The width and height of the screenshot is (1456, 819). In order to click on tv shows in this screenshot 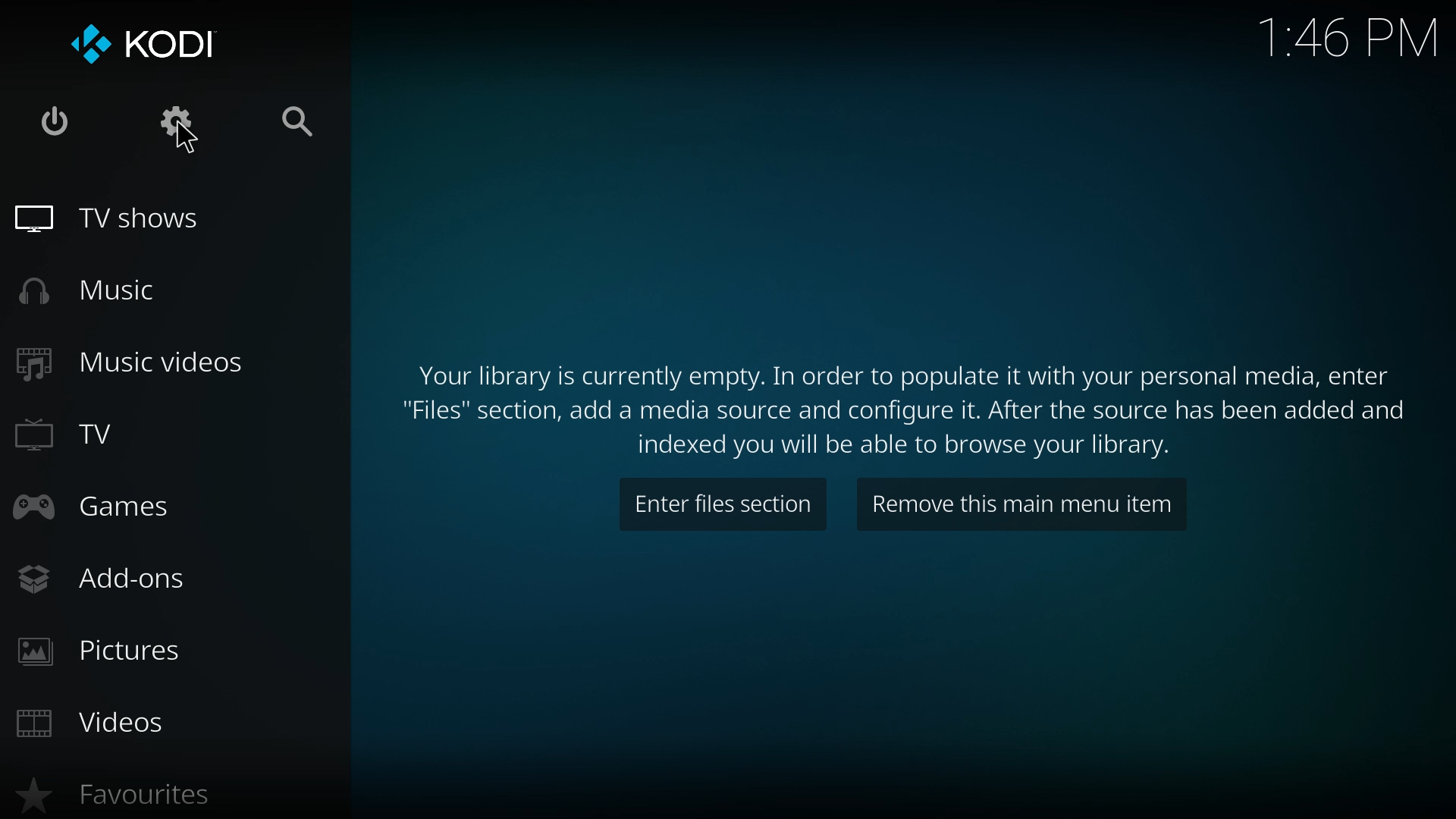, I will do `click(125, 220)`.